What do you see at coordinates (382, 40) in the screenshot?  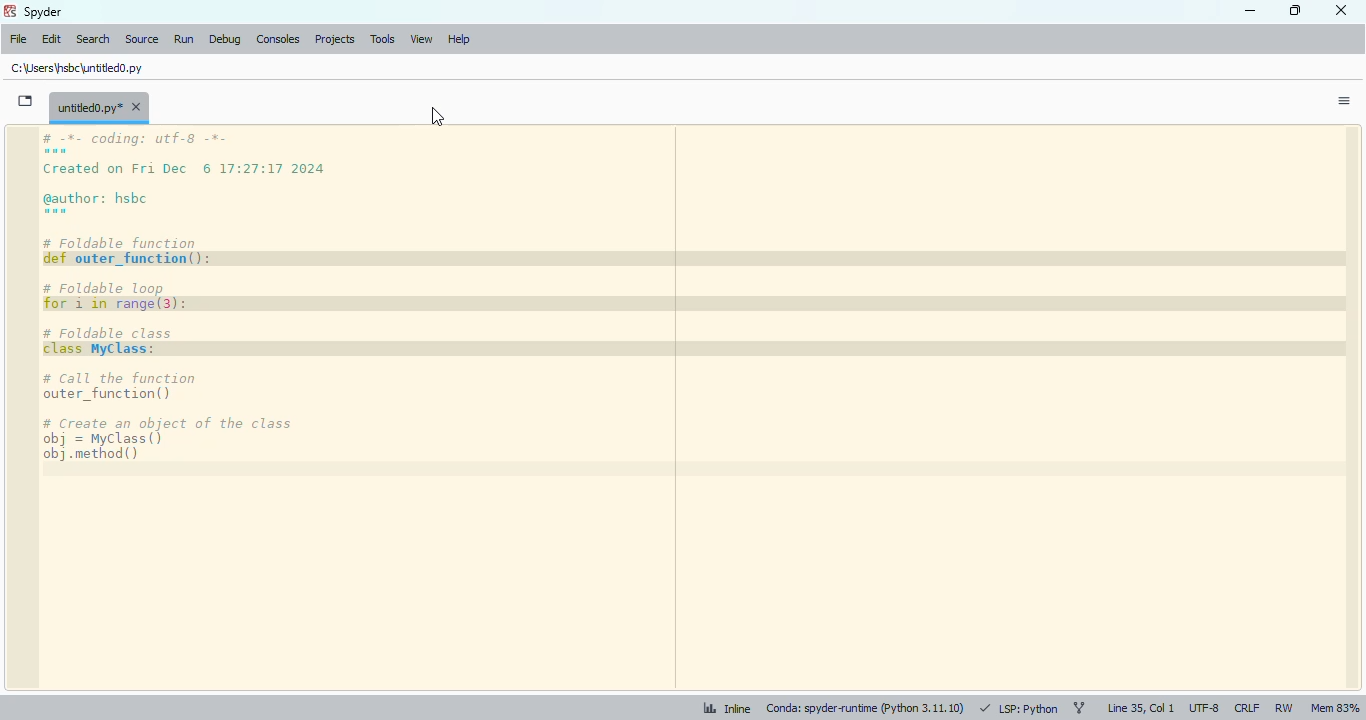 I see `tools` at bounding box center [382, 40].